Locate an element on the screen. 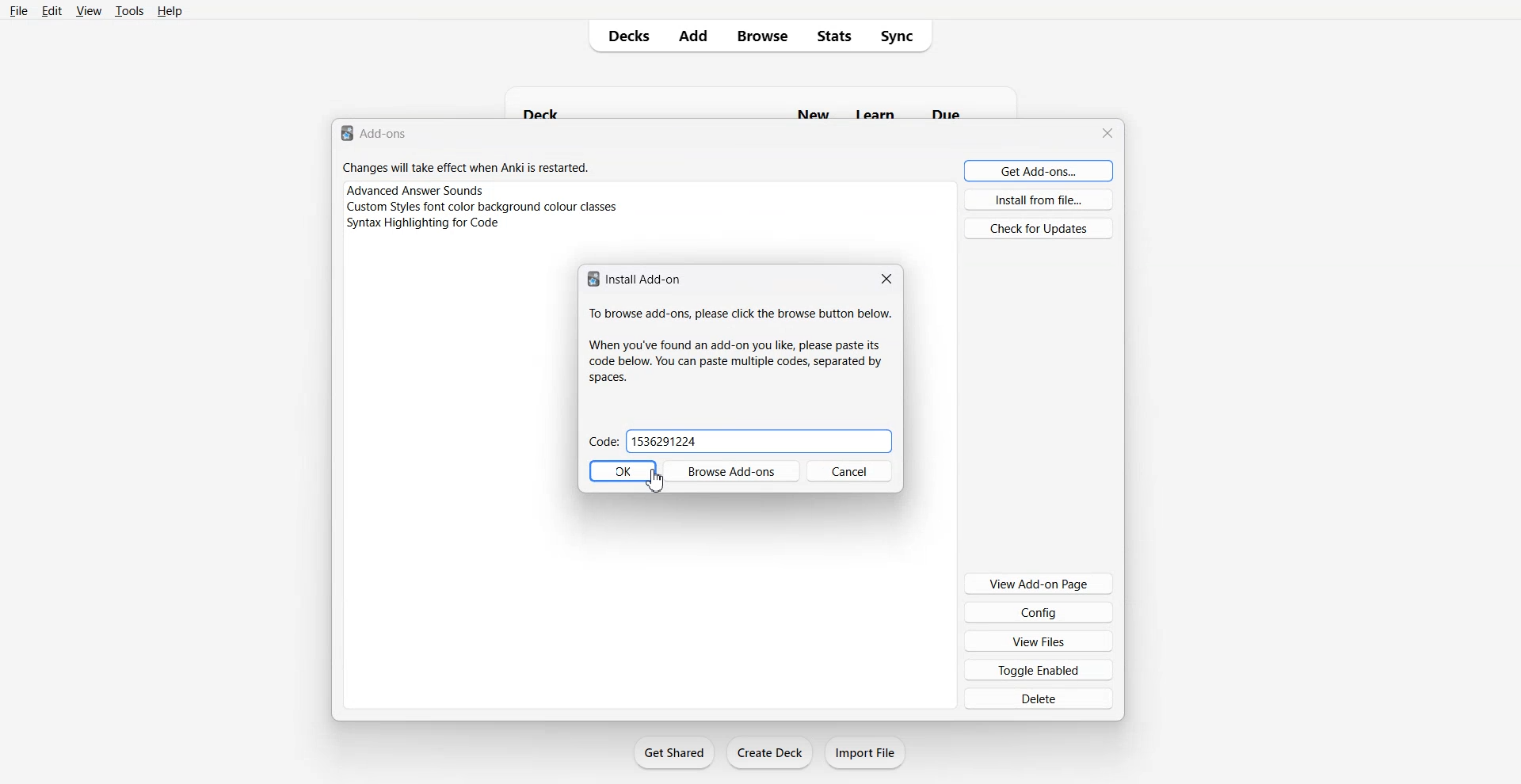 Image resolution: width=1521 pixels, height=784 pixels. Tools is located at coordinates (129, 10).